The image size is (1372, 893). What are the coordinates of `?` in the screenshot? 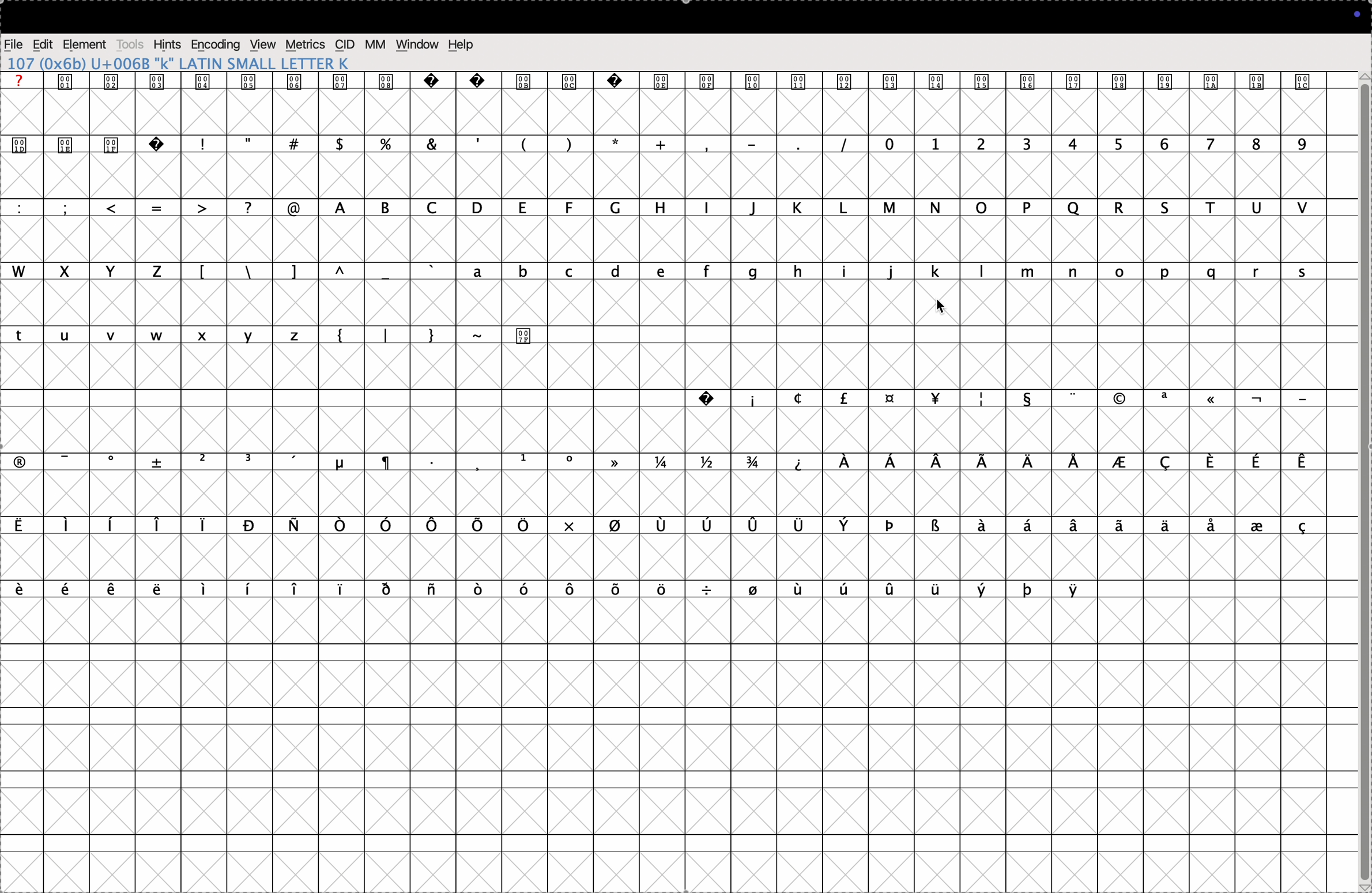 It's located at (708, 399).